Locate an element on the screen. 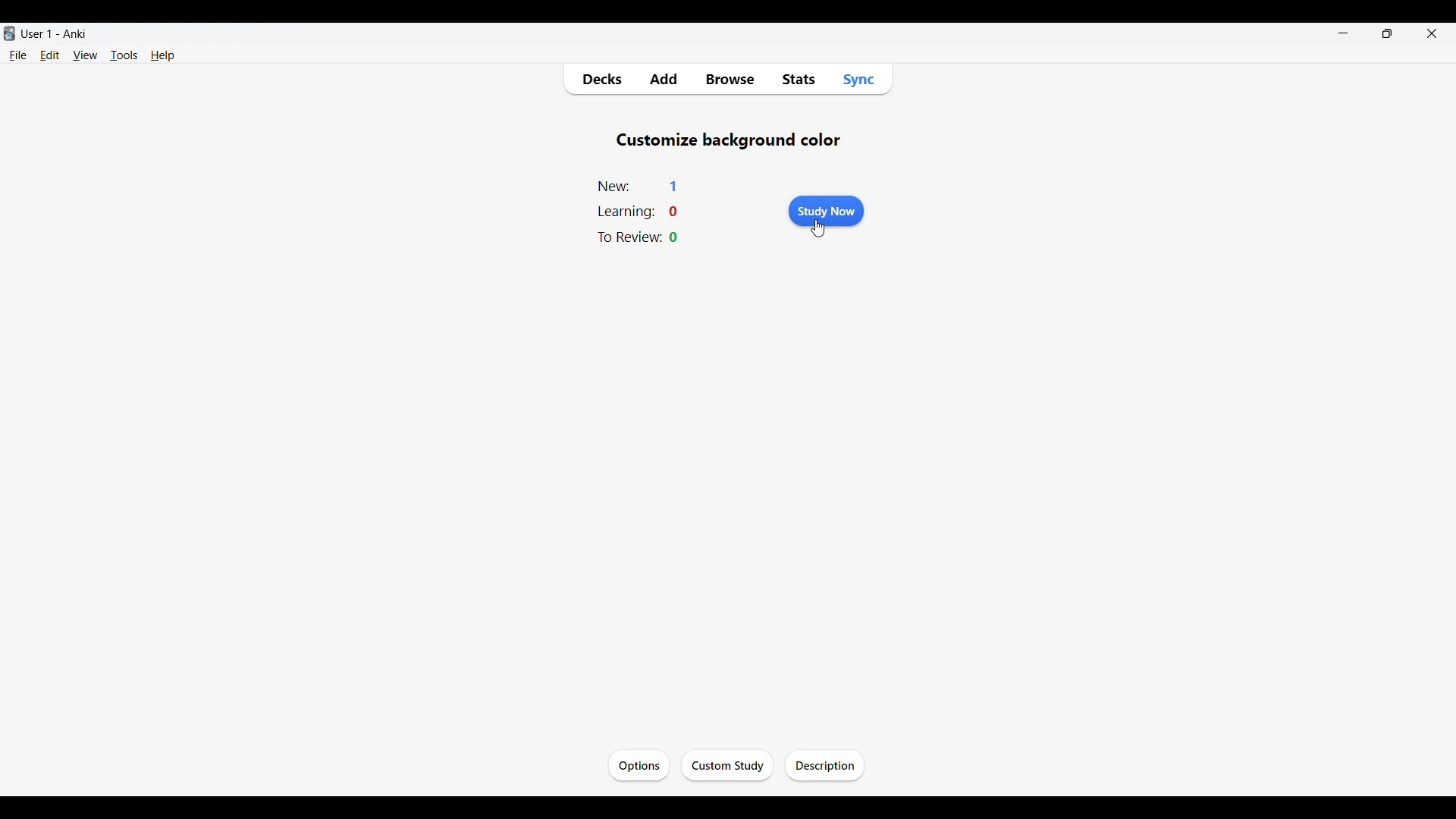 Image resolution: width=1456 pixels, height=819 pixels. Number of Learning cards is located at coordinates (674, 212).